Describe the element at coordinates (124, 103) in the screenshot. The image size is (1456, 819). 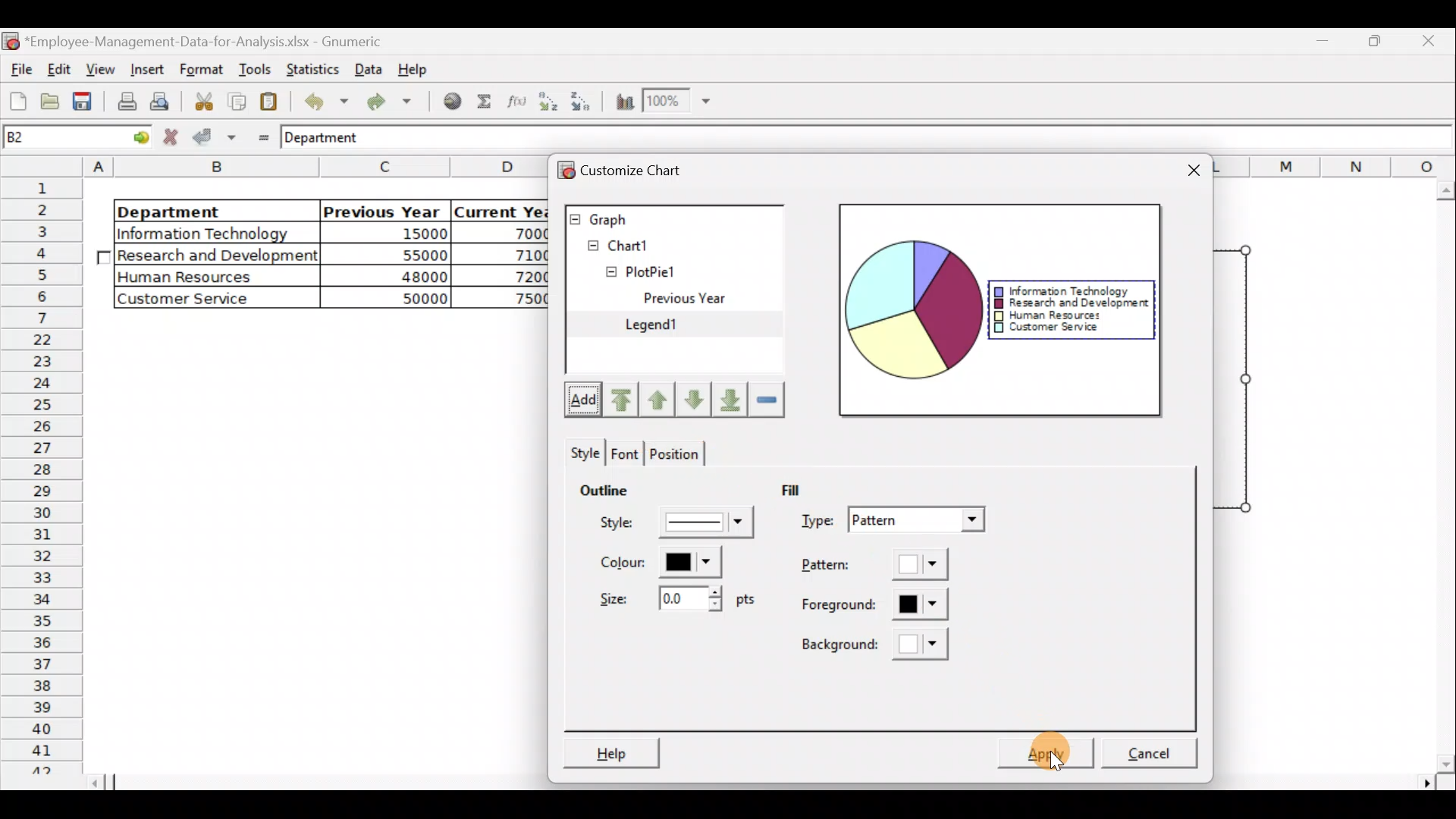
I see `Print current file` at that location.